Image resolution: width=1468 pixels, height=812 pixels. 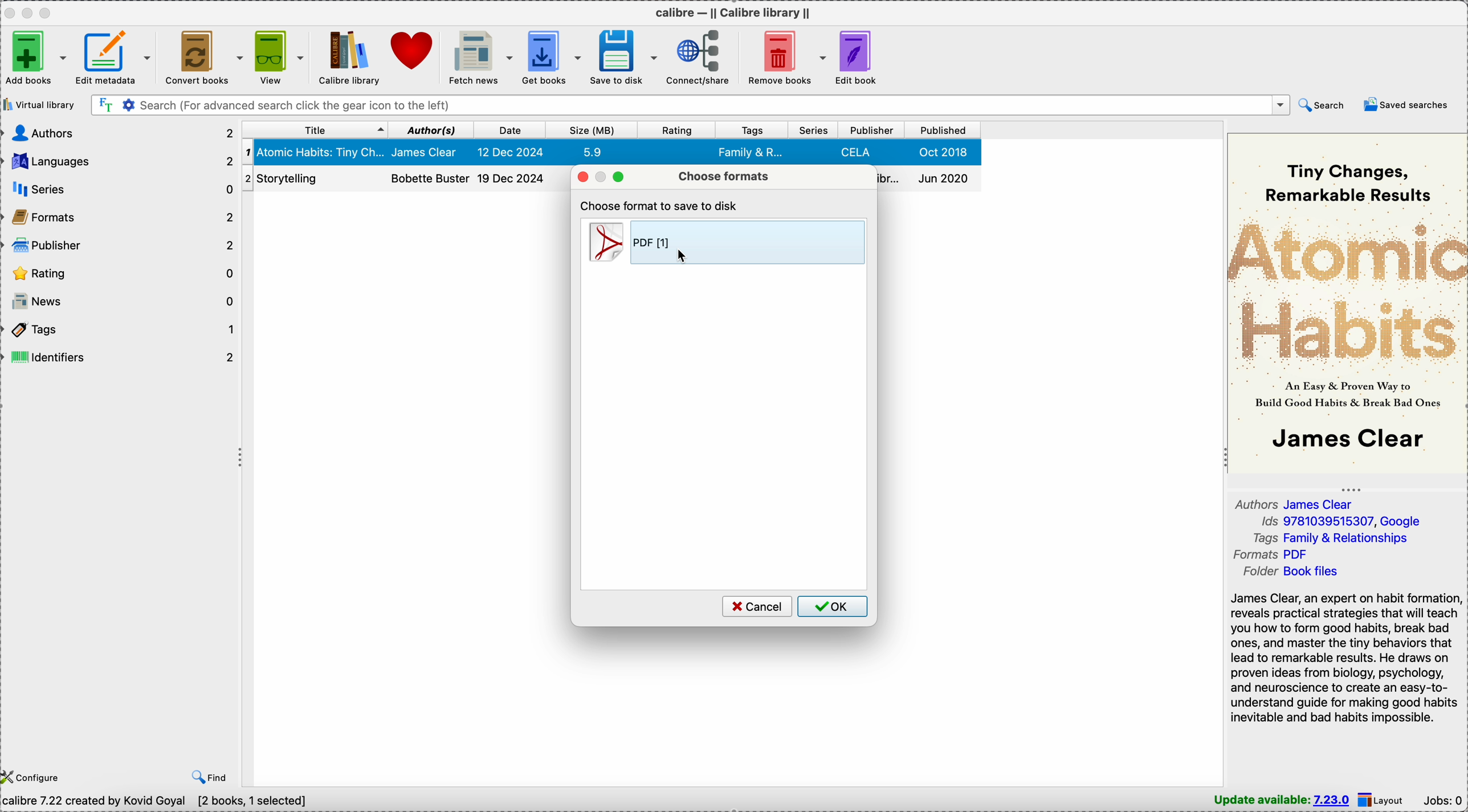 I want to click on Jun 2020, so click(x=930, y=179).